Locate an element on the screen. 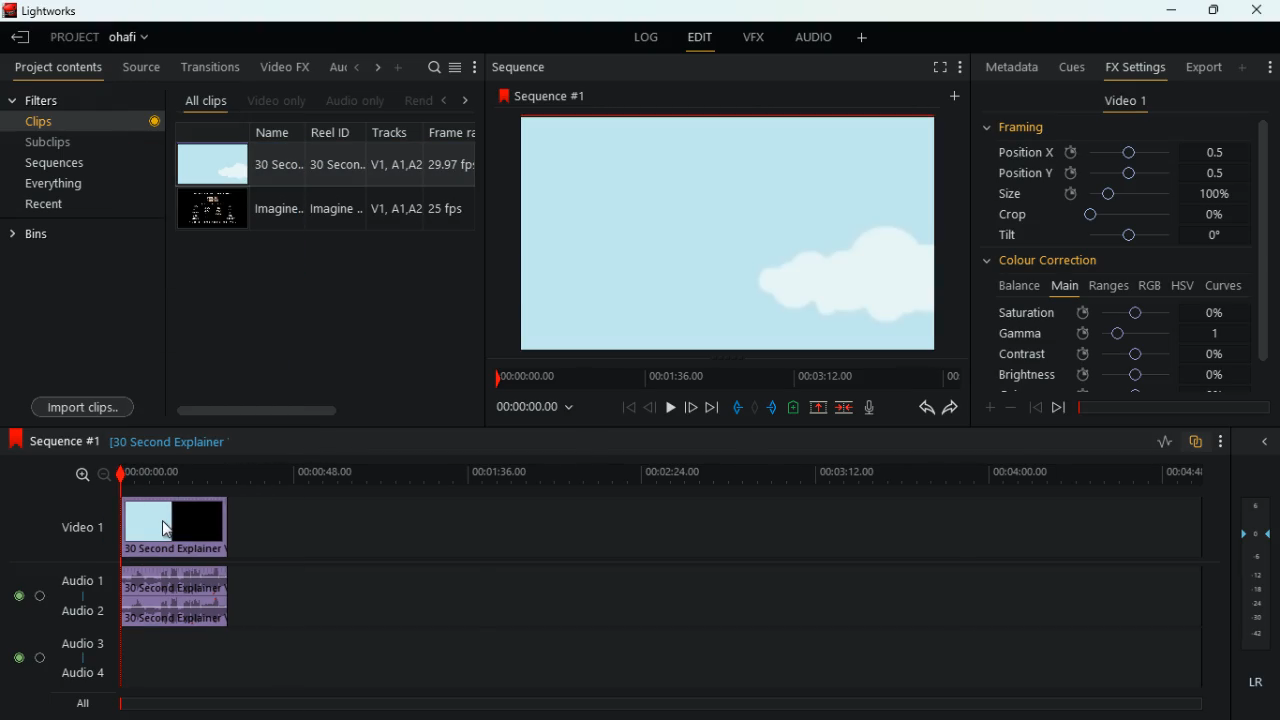 This screenshot has height=720, width=1280. scroll is located at coordinates (323, 410).